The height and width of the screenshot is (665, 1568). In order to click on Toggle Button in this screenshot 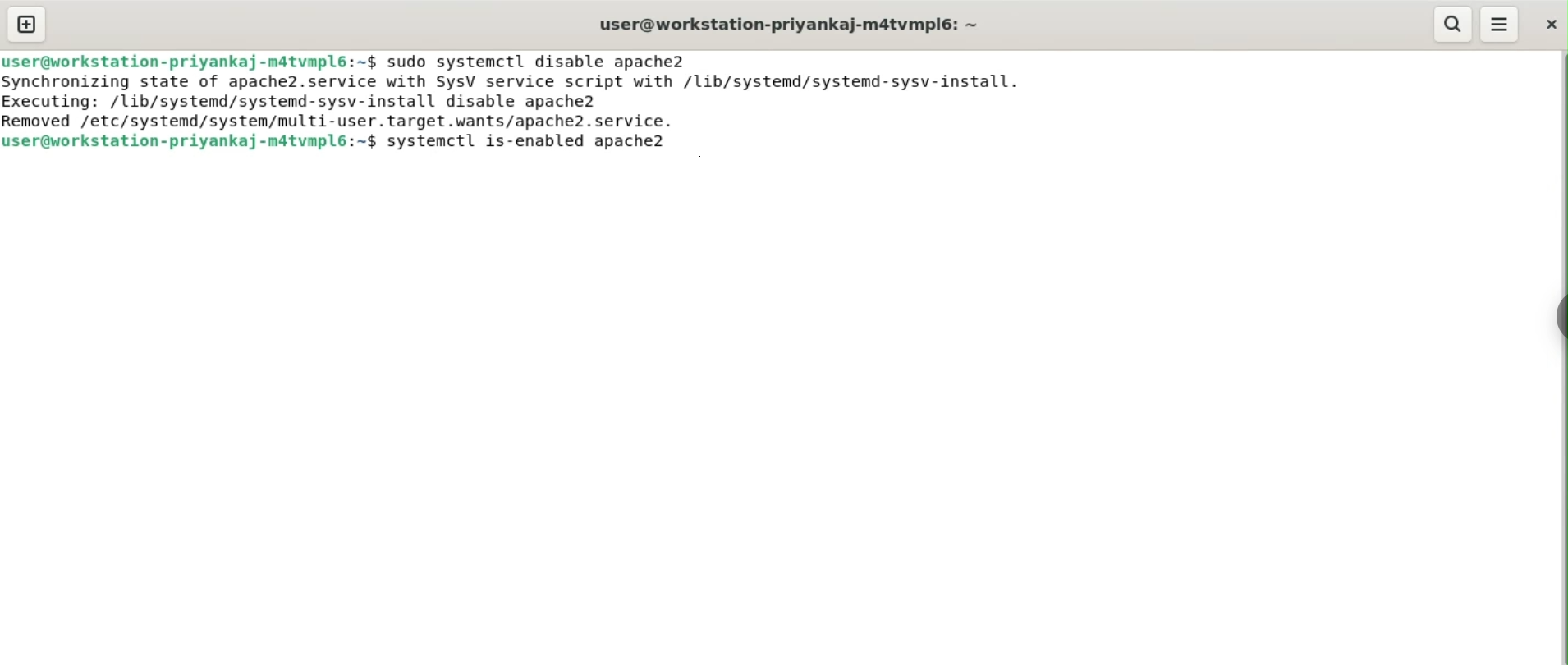, I will do `click(1553, 318)`.